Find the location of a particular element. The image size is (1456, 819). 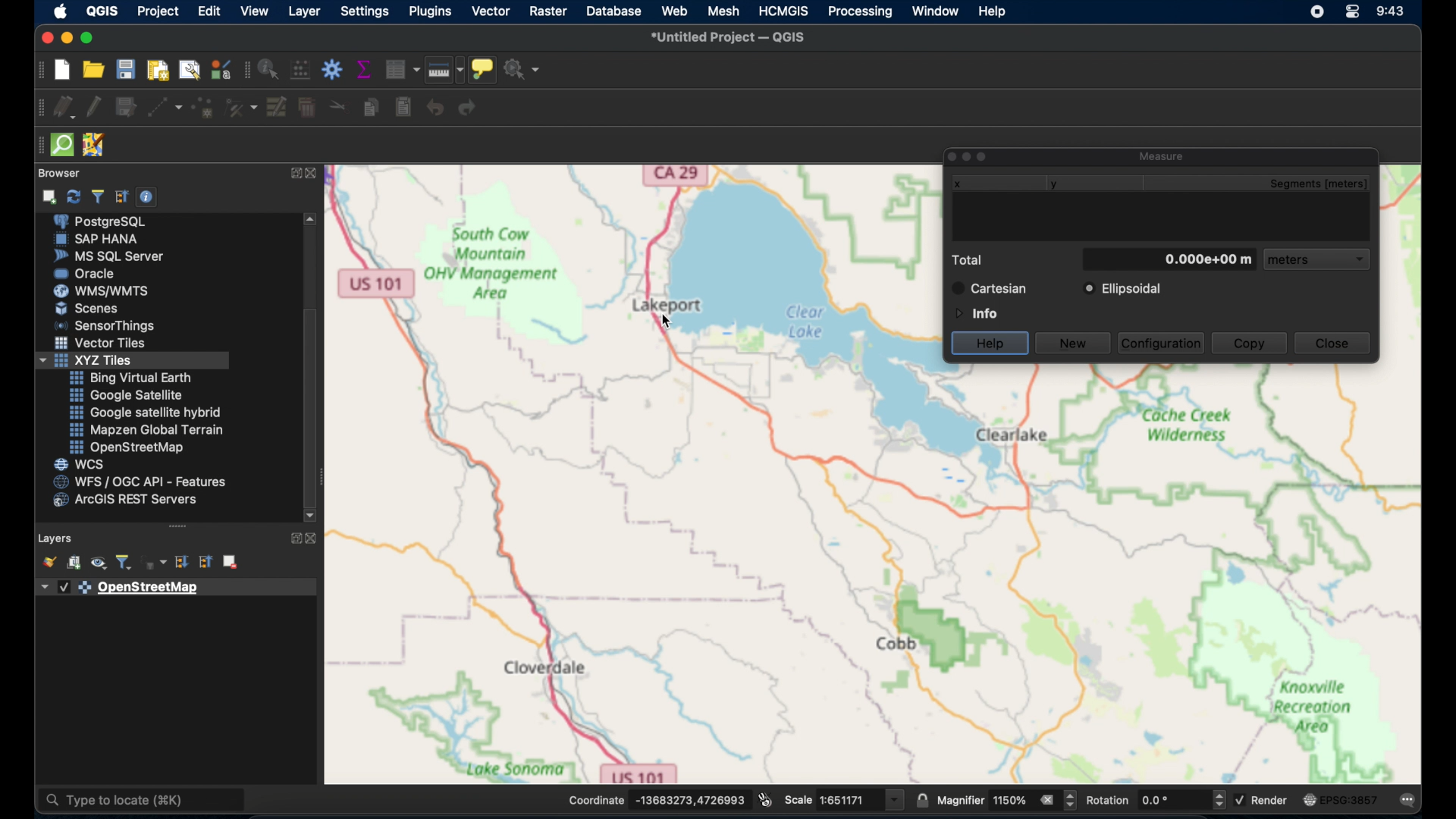

redo is located at coordinates (470, 109).